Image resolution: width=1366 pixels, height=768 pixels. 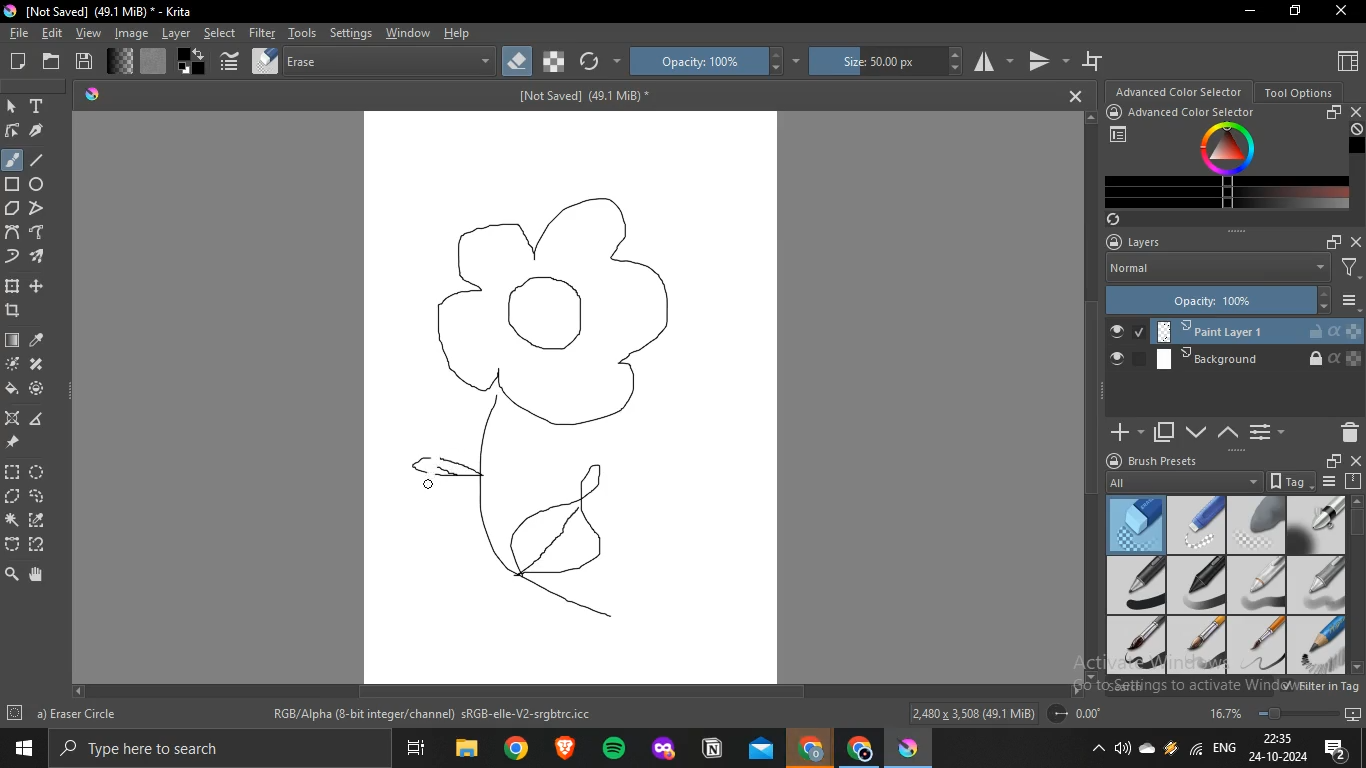 I want to click on multiple brush tool, so click(x=38, y=258).